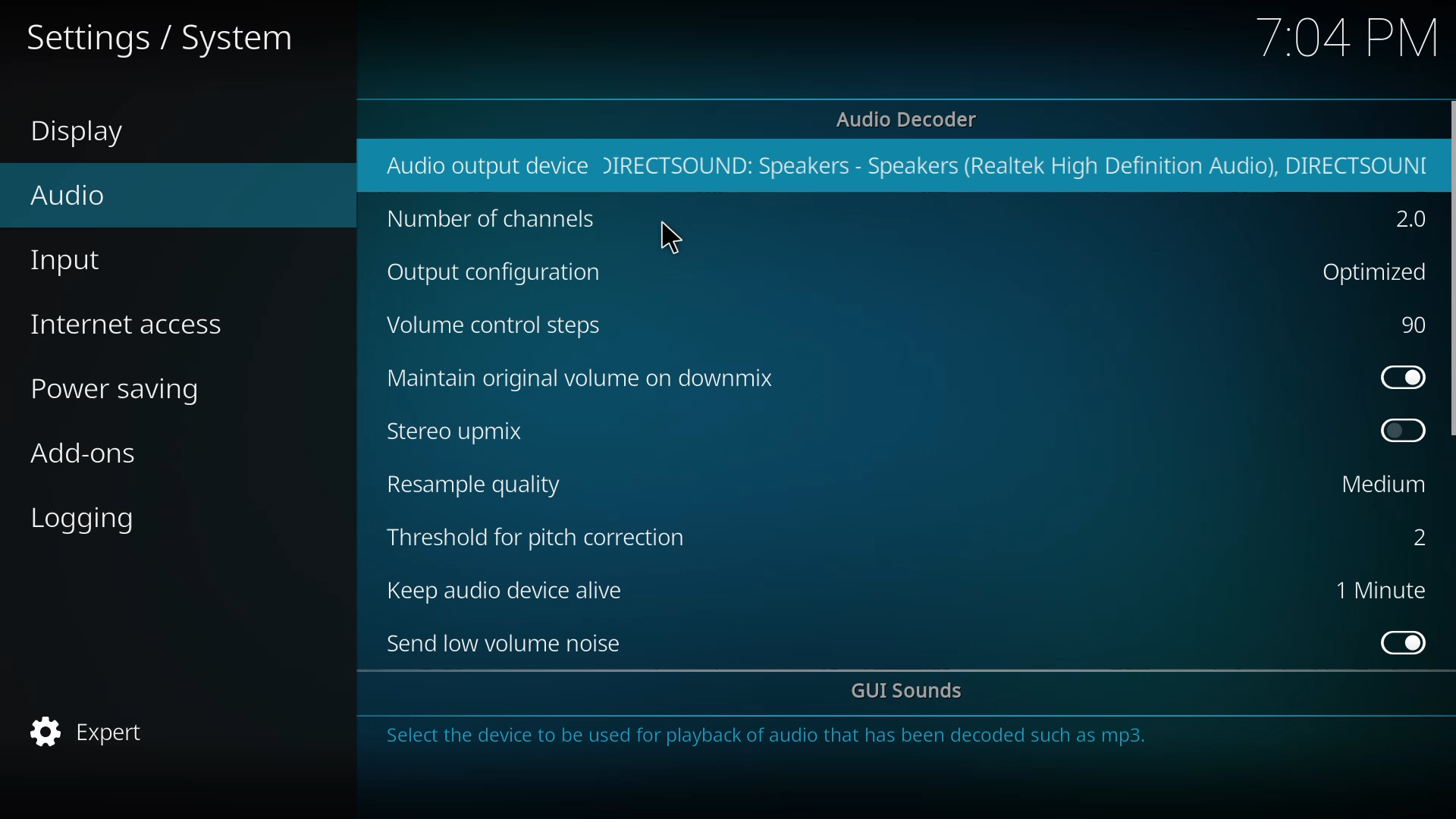  Describe the element at coordinates (482, 165) in the screenshot. I see `audio output device` at that location.